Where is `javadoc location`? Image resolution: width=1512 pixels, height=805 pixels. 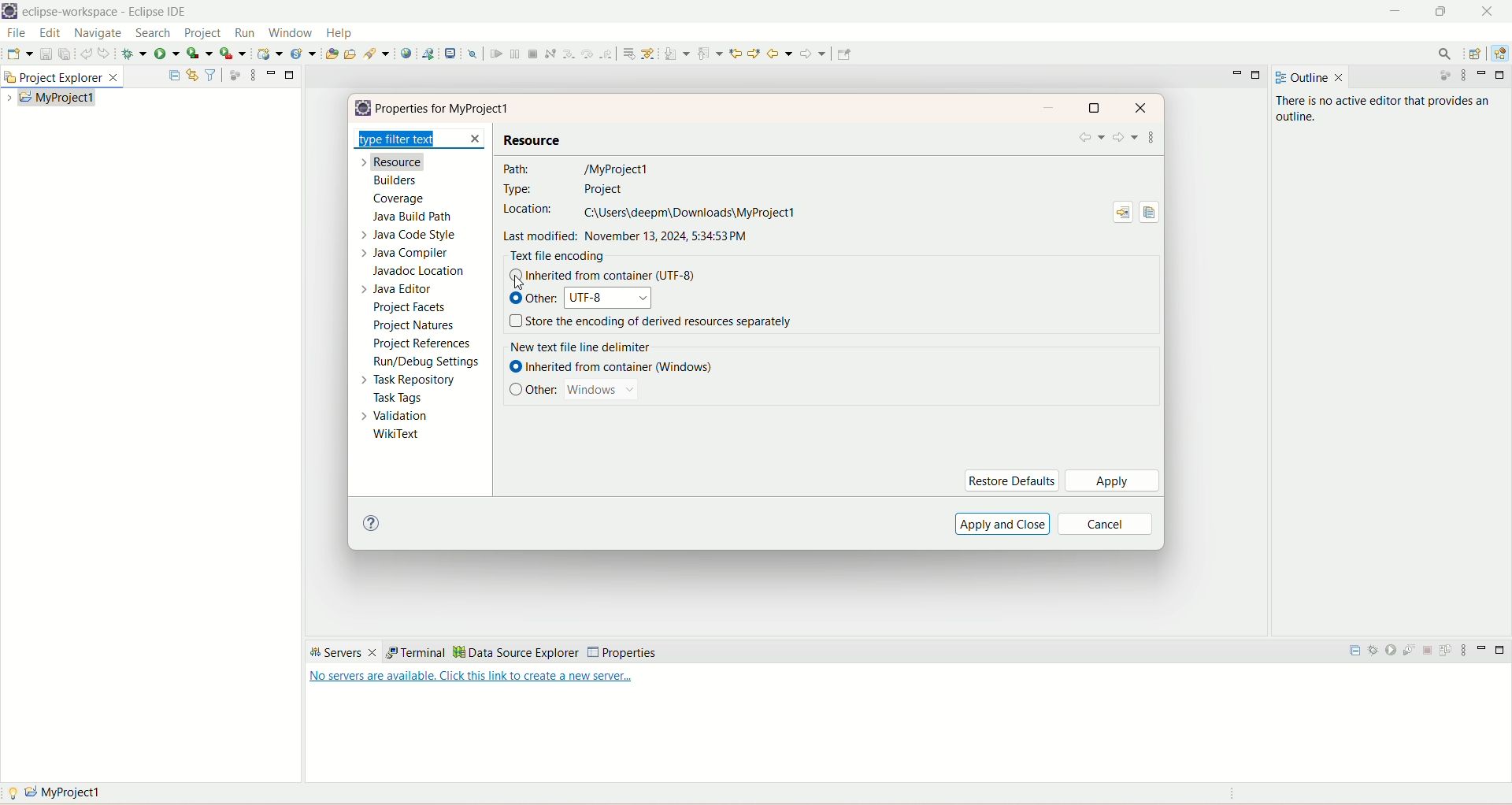 javadoc location is located at coordinates (417, 271).